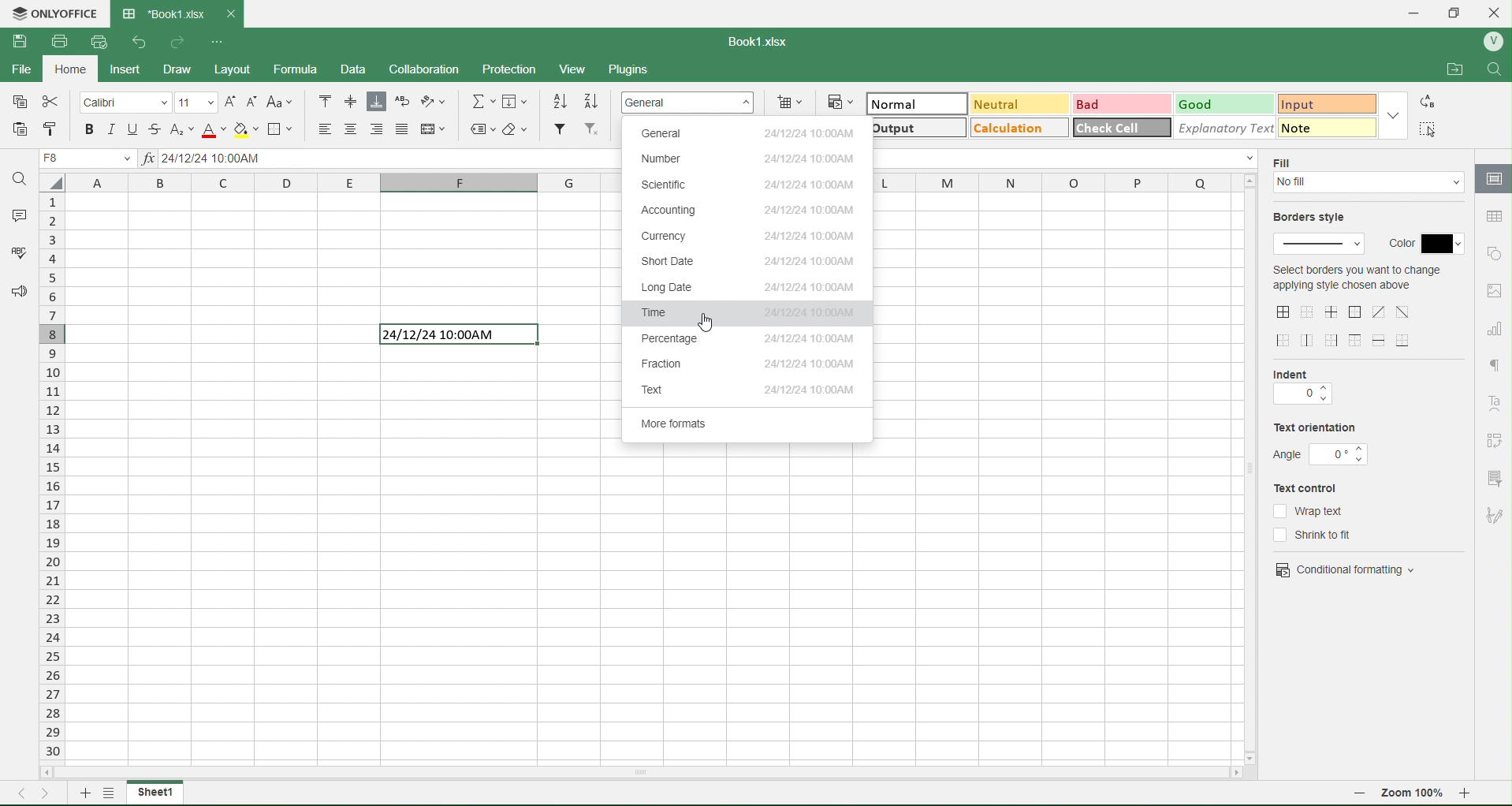 The width and height of the screenshot is (1512, 806). I want to click on Copy Style, so click(48, 129).